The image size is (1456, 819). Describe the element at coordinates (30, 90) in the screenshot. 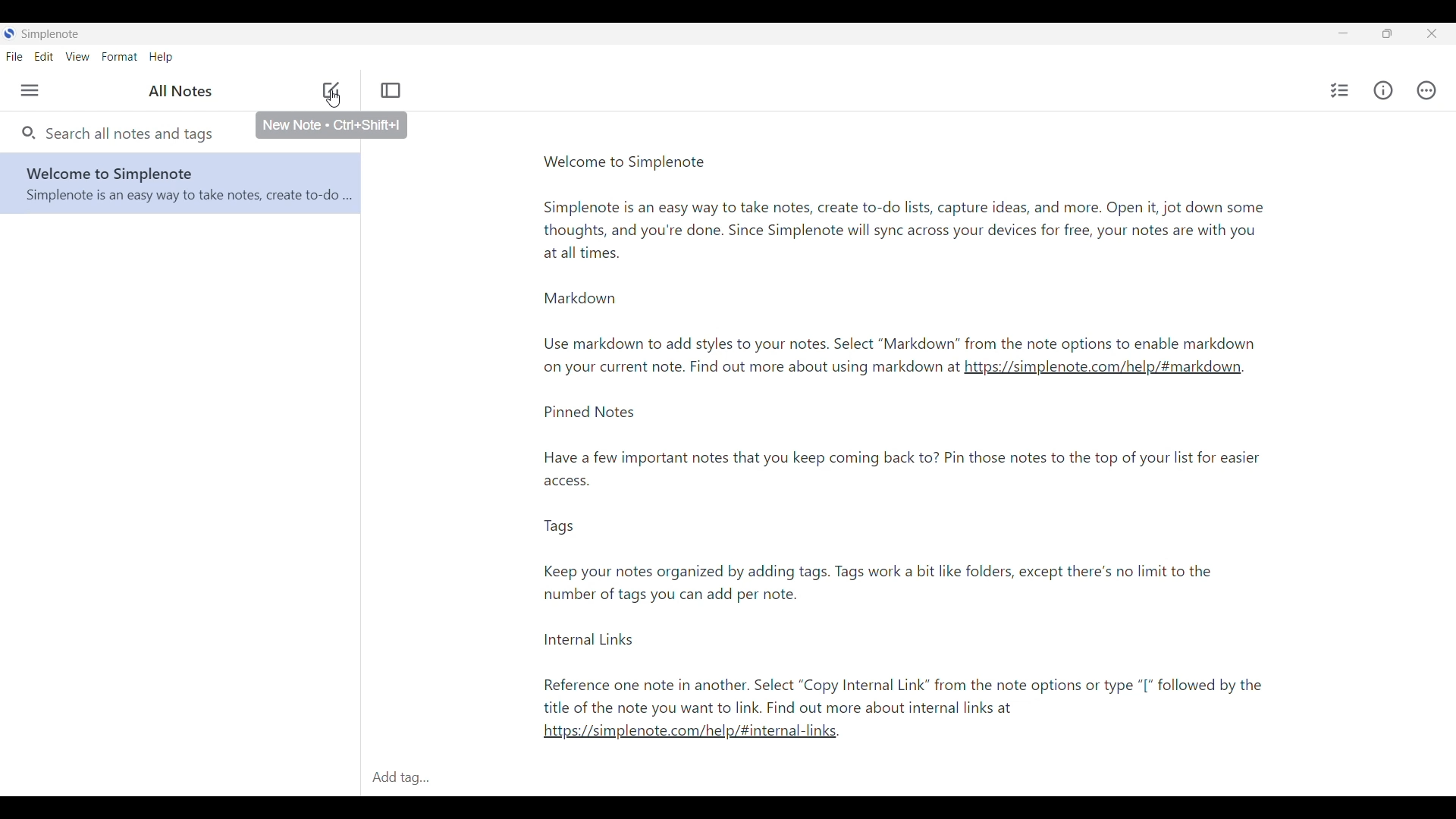

I see `Menu` at that location.